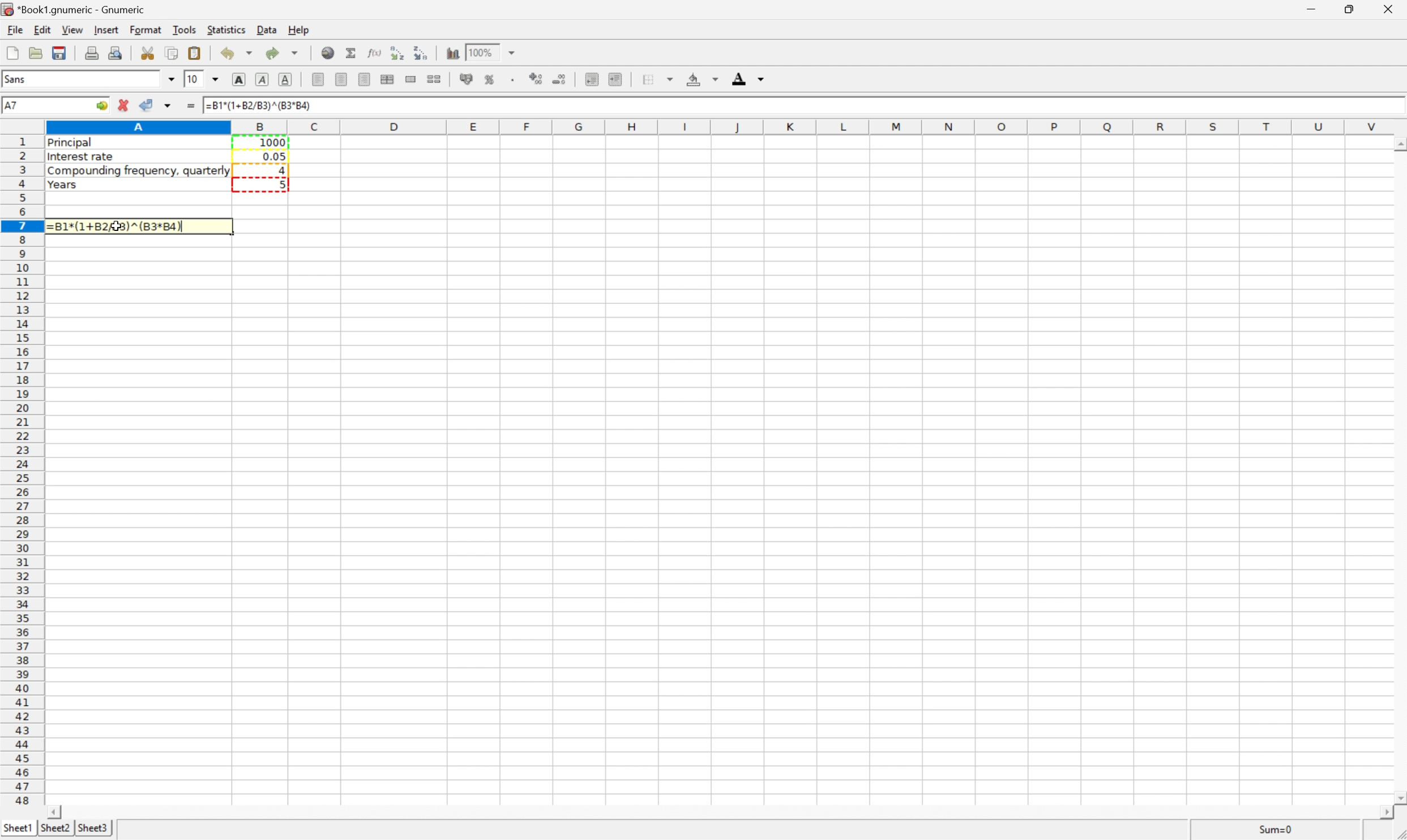  I want to click on copy, so click(172, 52).